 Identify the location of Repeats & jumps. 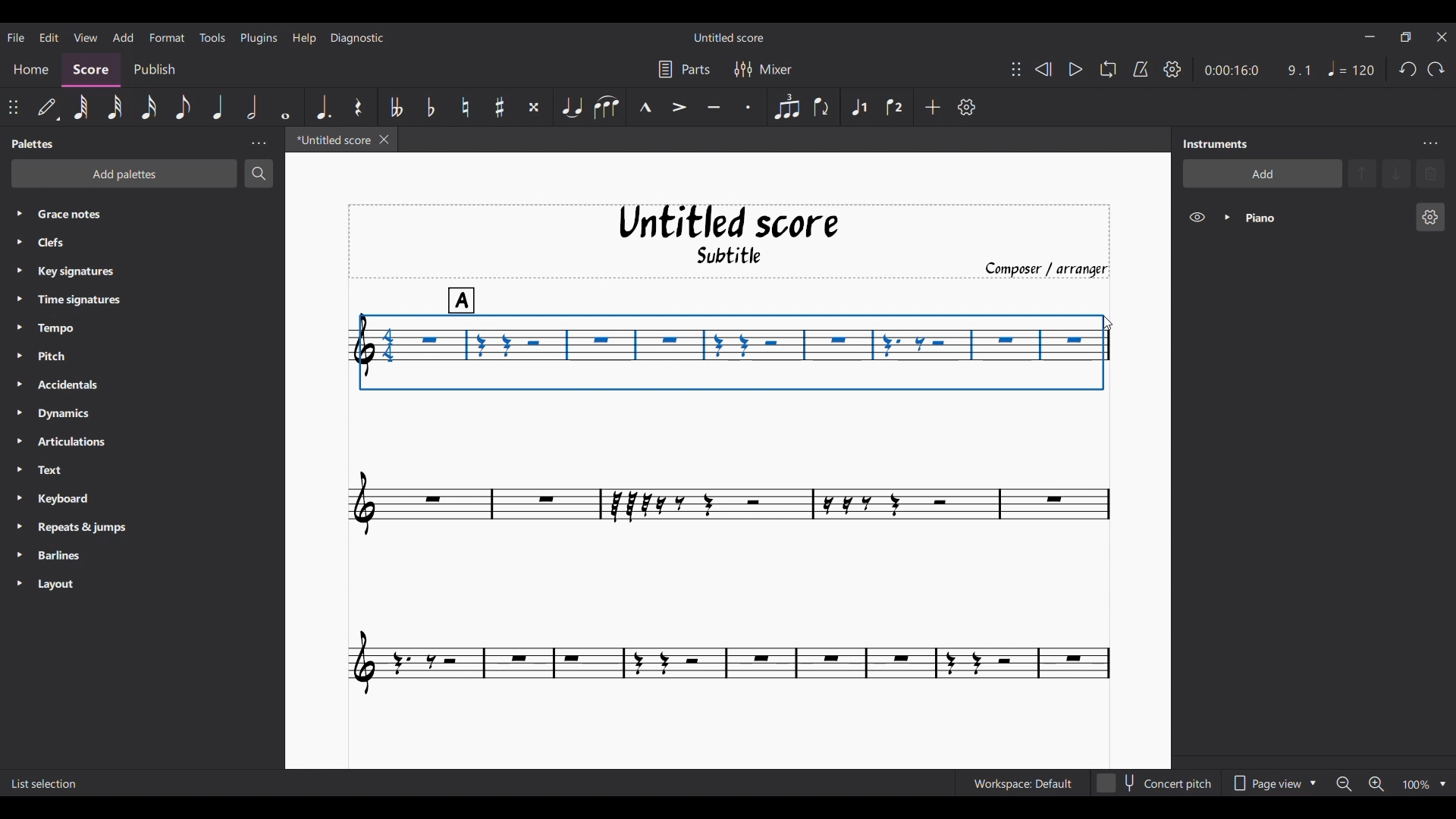
(89, 527).